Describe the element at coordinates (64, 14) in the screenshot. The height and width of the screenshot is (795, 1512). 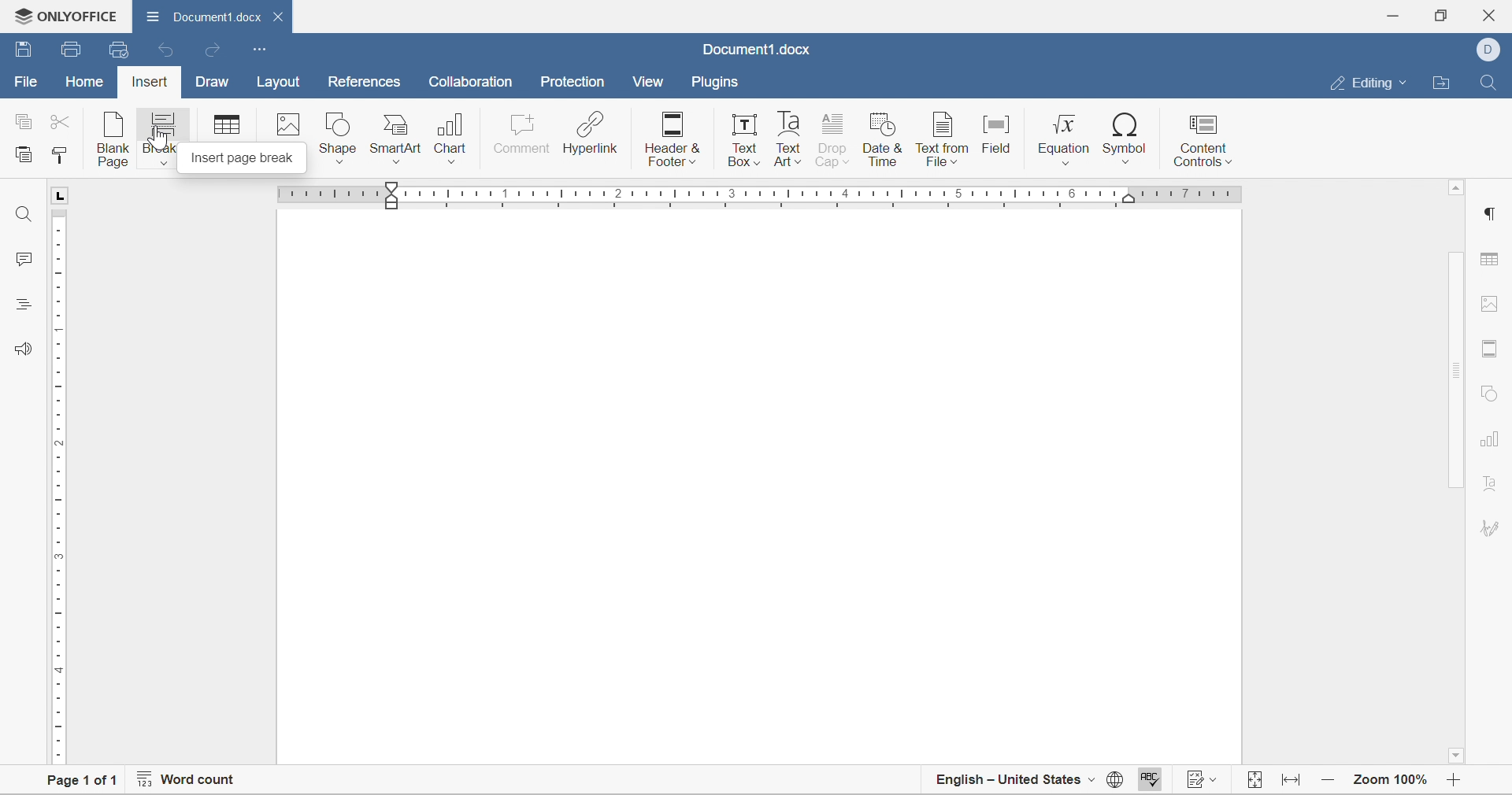
I see `ONLYOFFICE` at that location.